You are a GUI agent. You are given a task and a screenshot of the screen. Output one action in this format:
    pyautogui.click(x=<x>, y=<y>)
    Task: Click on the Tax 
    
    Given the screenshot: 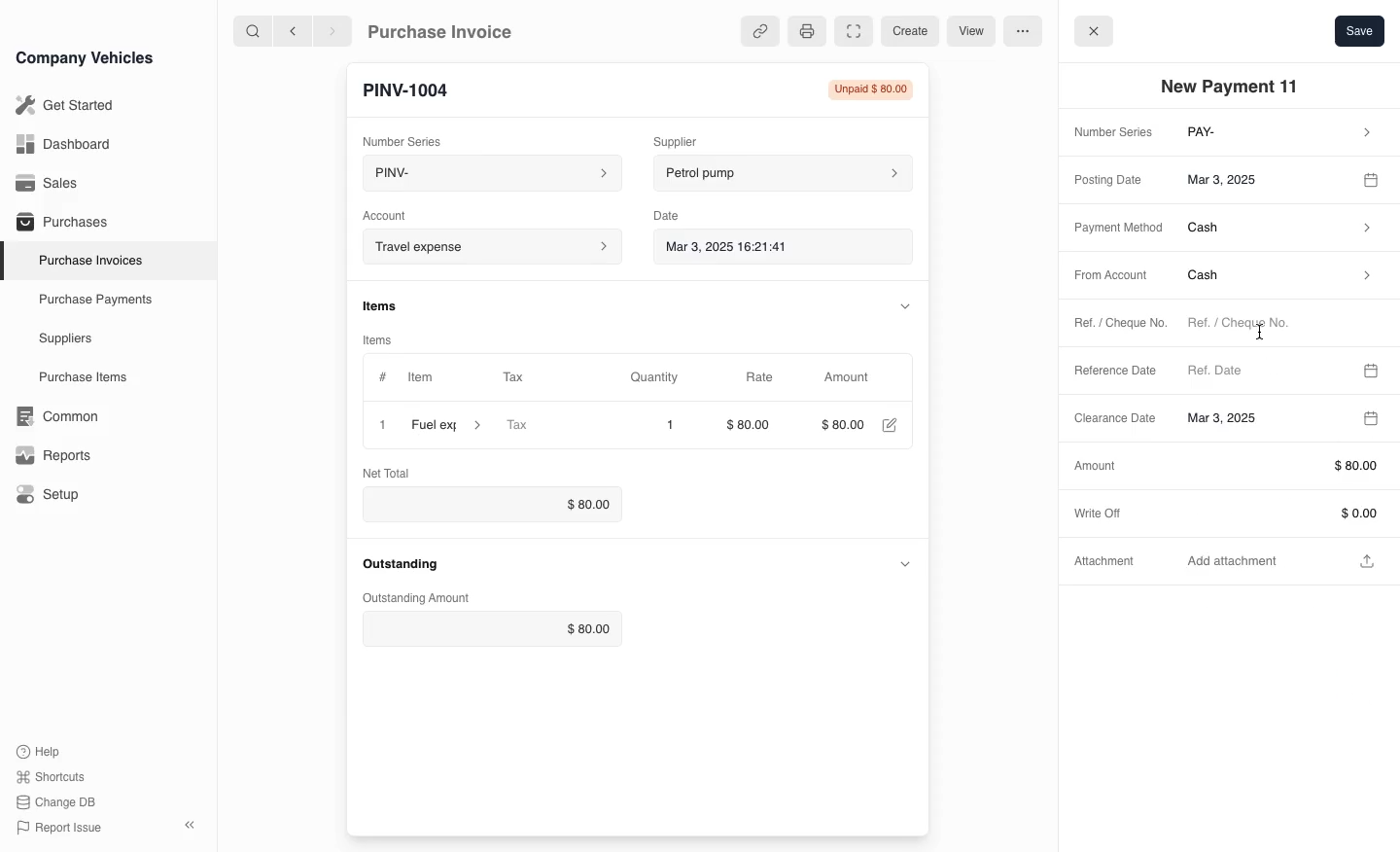 What is the action you would take?
    pyautogui.click(x=549, y=426)
    